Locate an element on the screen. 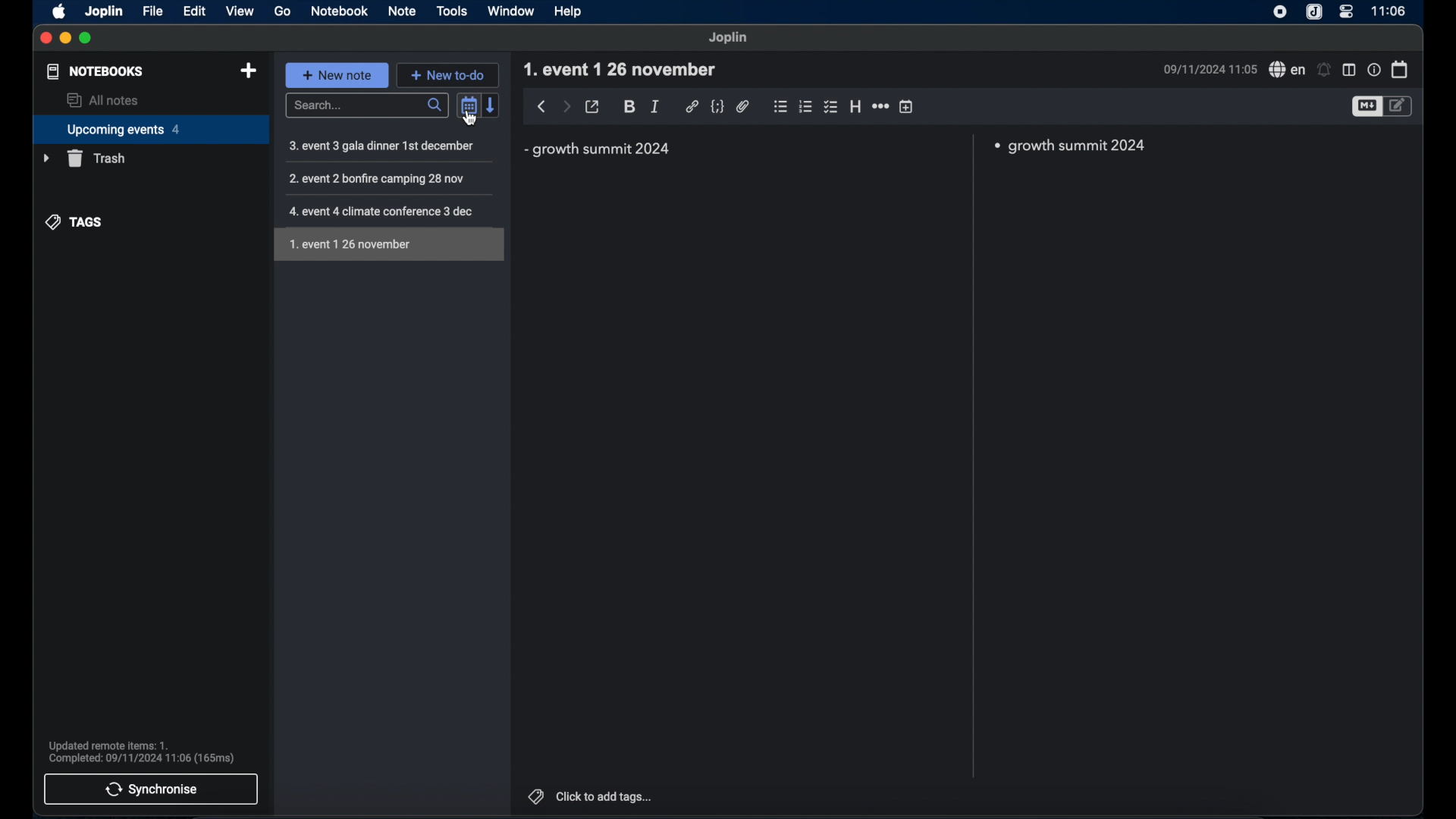 The image size is (1456, 819). tags is located at coordinates (536, 795).